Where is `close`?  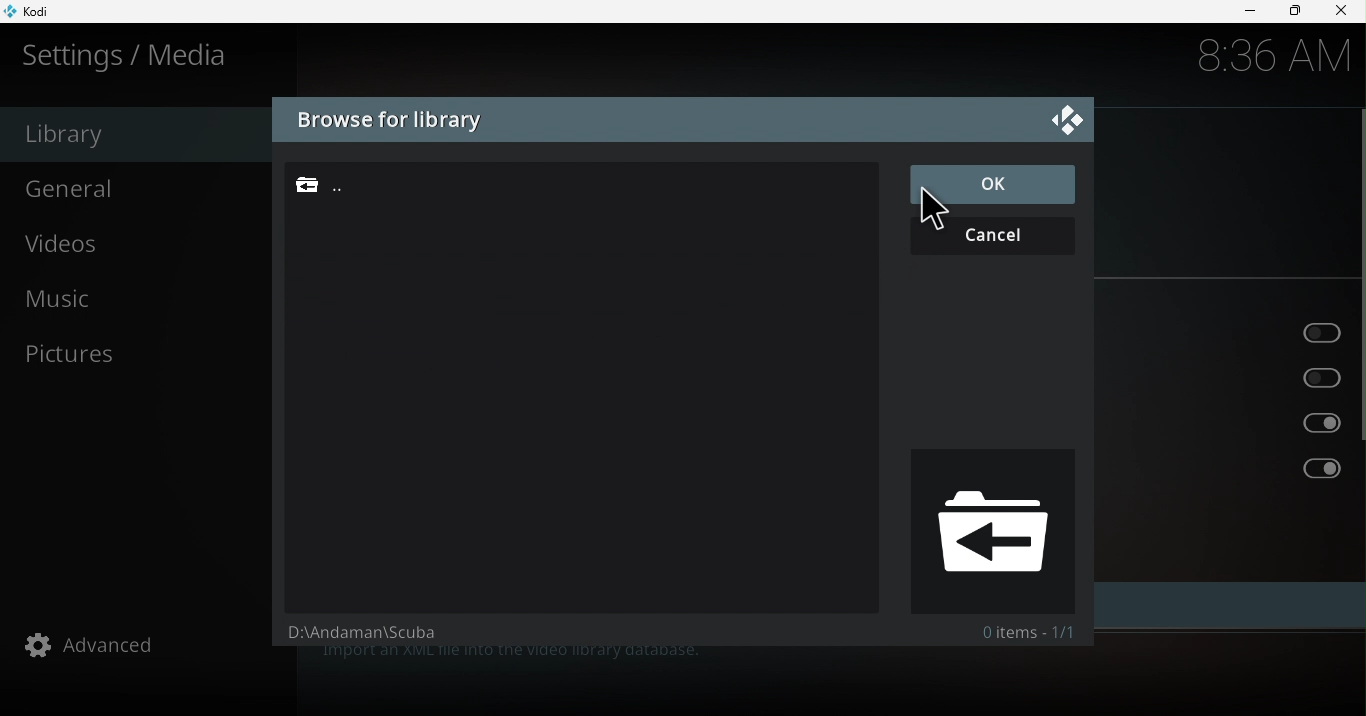
close is located at coordinates (1344, 11).